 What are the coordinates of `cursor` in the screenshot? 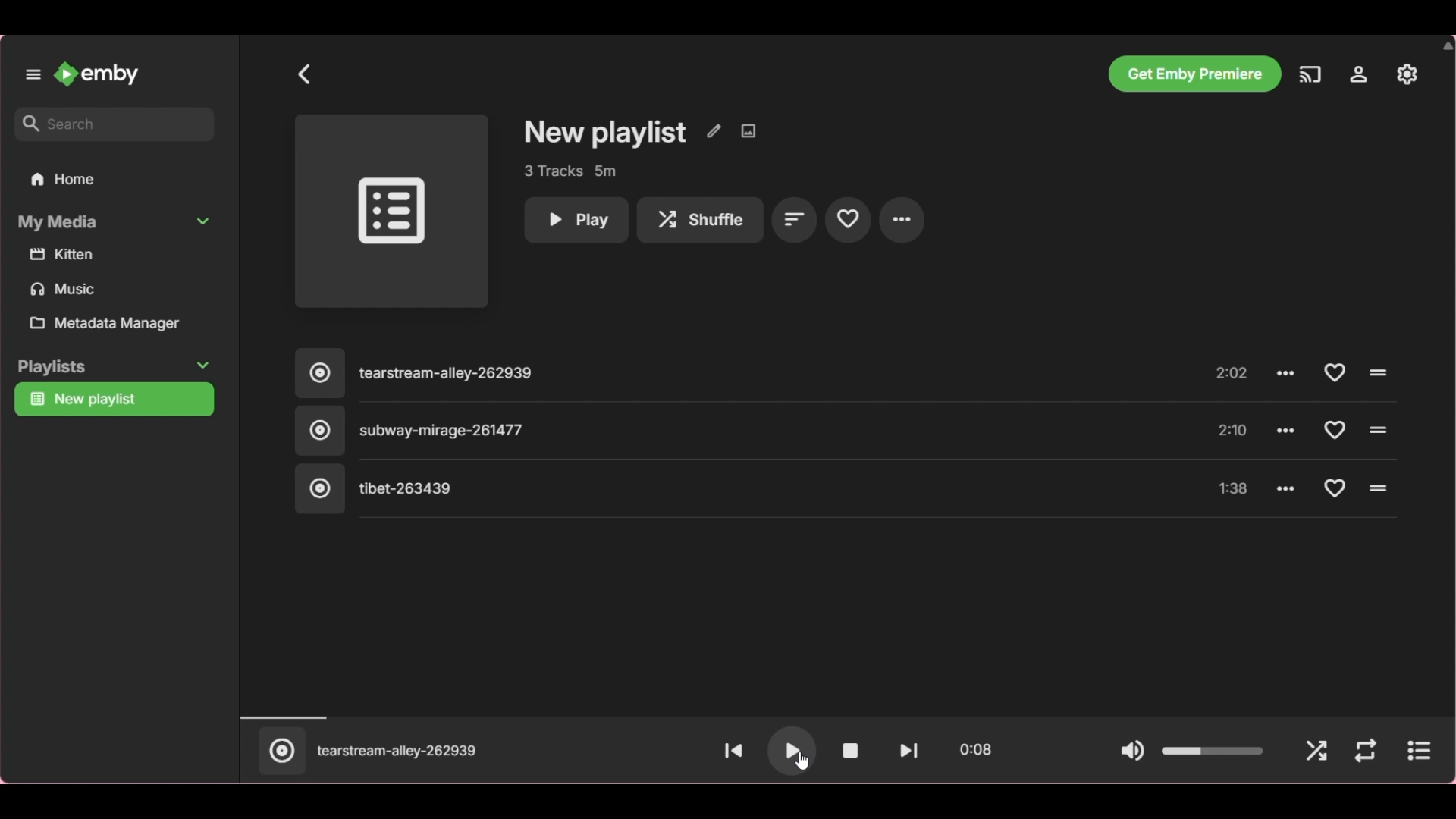 It's located at (802, 761).